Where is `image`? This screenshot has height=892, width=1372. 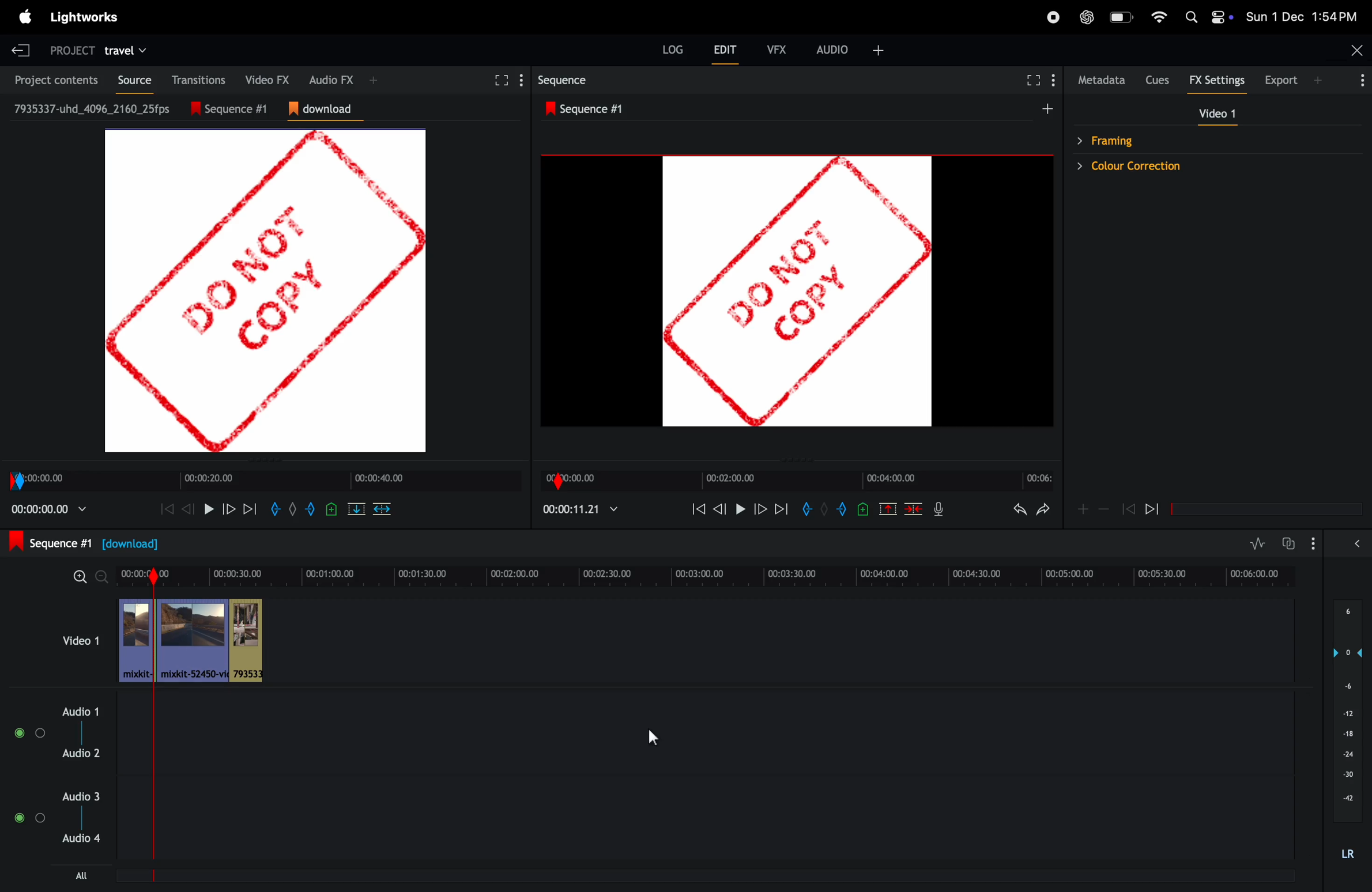 image is located at coordinates (797, 292).